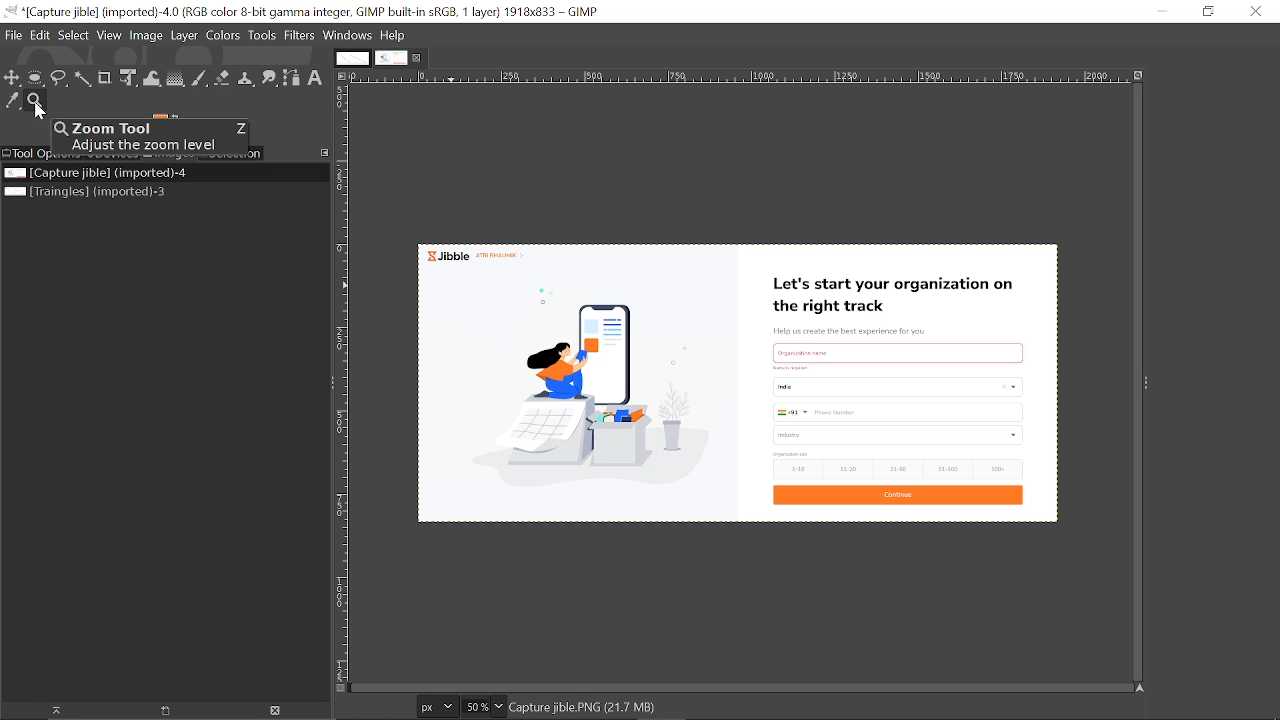  I want to click on Access the image menu, so click(342, 76).